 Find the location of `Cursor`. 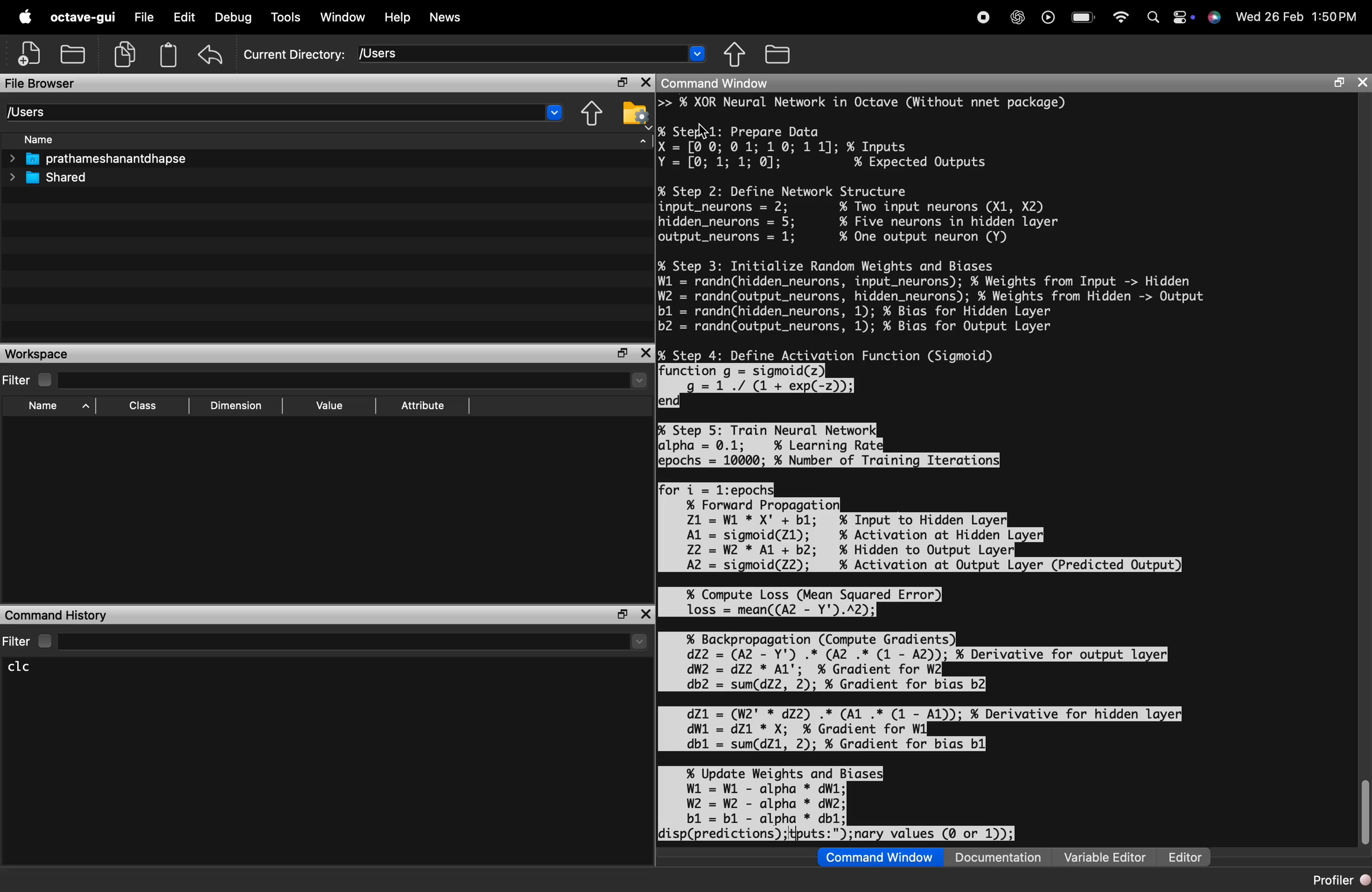

Cursor is located at coordinates (706, 133).